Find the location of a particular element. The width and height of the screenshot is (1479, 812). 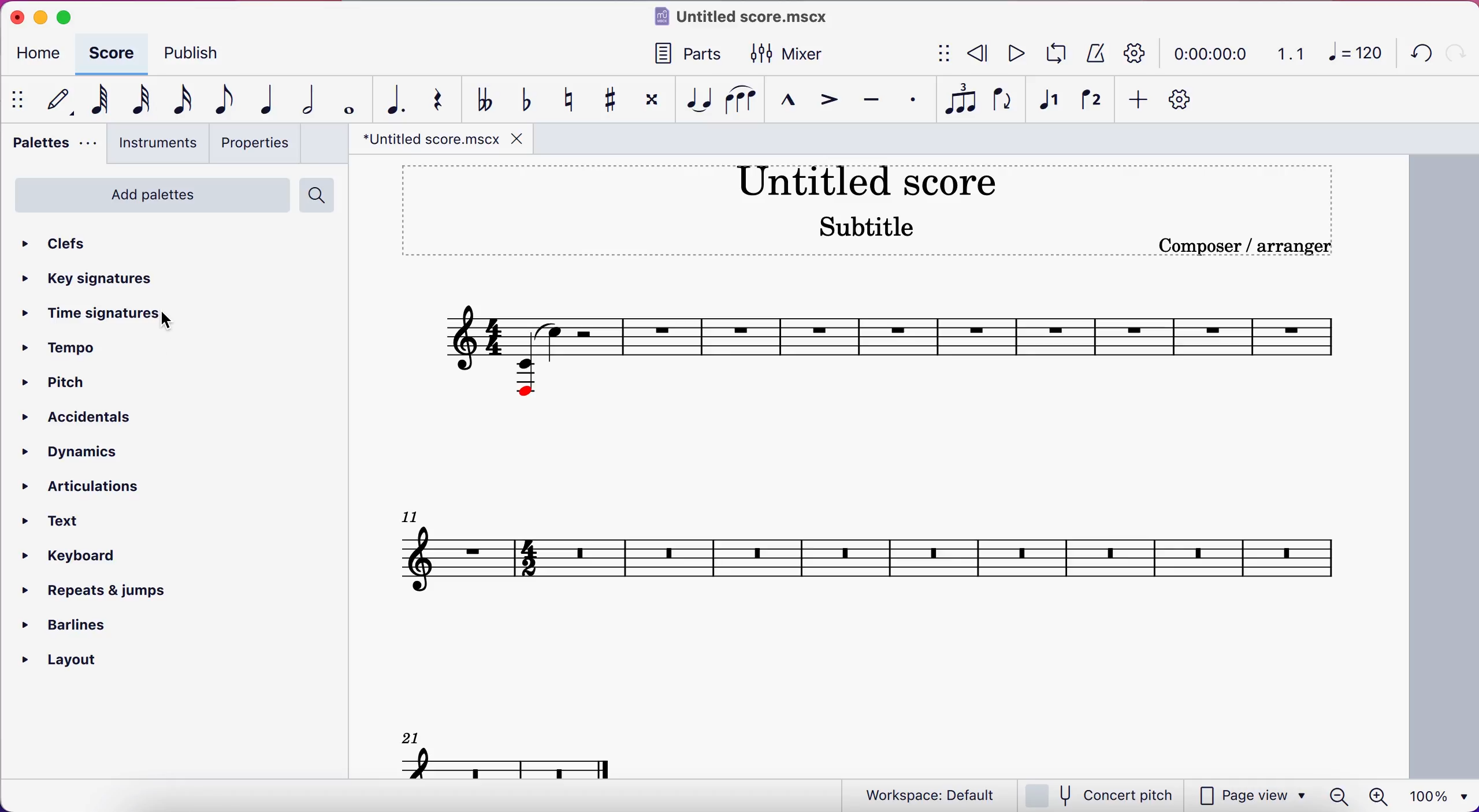

concert pitch is located at coordinates (1101, 795).